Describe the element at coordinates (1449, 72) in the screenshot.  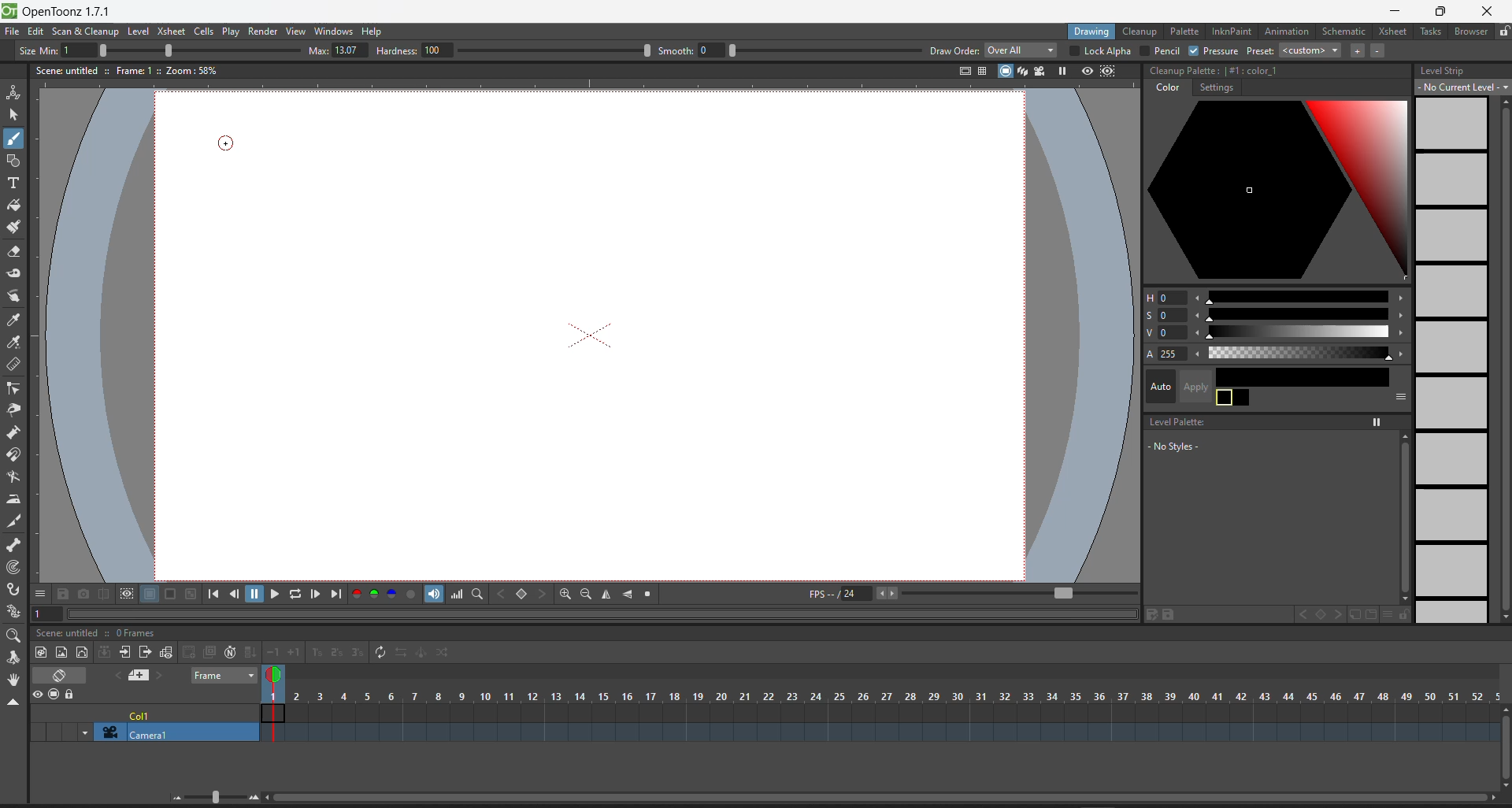
I see `level strip` at that location.